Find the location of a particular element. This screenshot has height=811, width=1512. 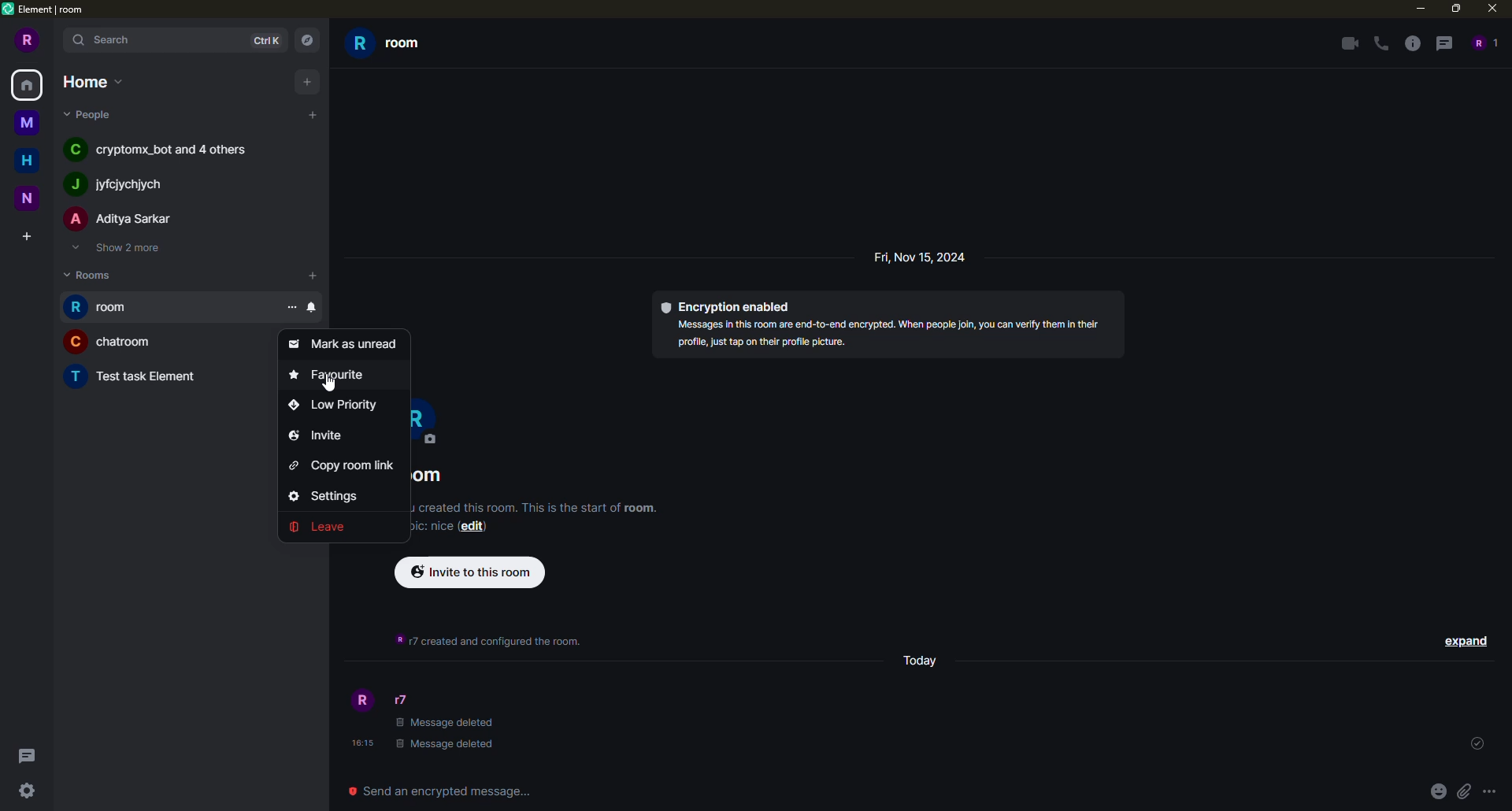

room is located at coordinates (106, 306).